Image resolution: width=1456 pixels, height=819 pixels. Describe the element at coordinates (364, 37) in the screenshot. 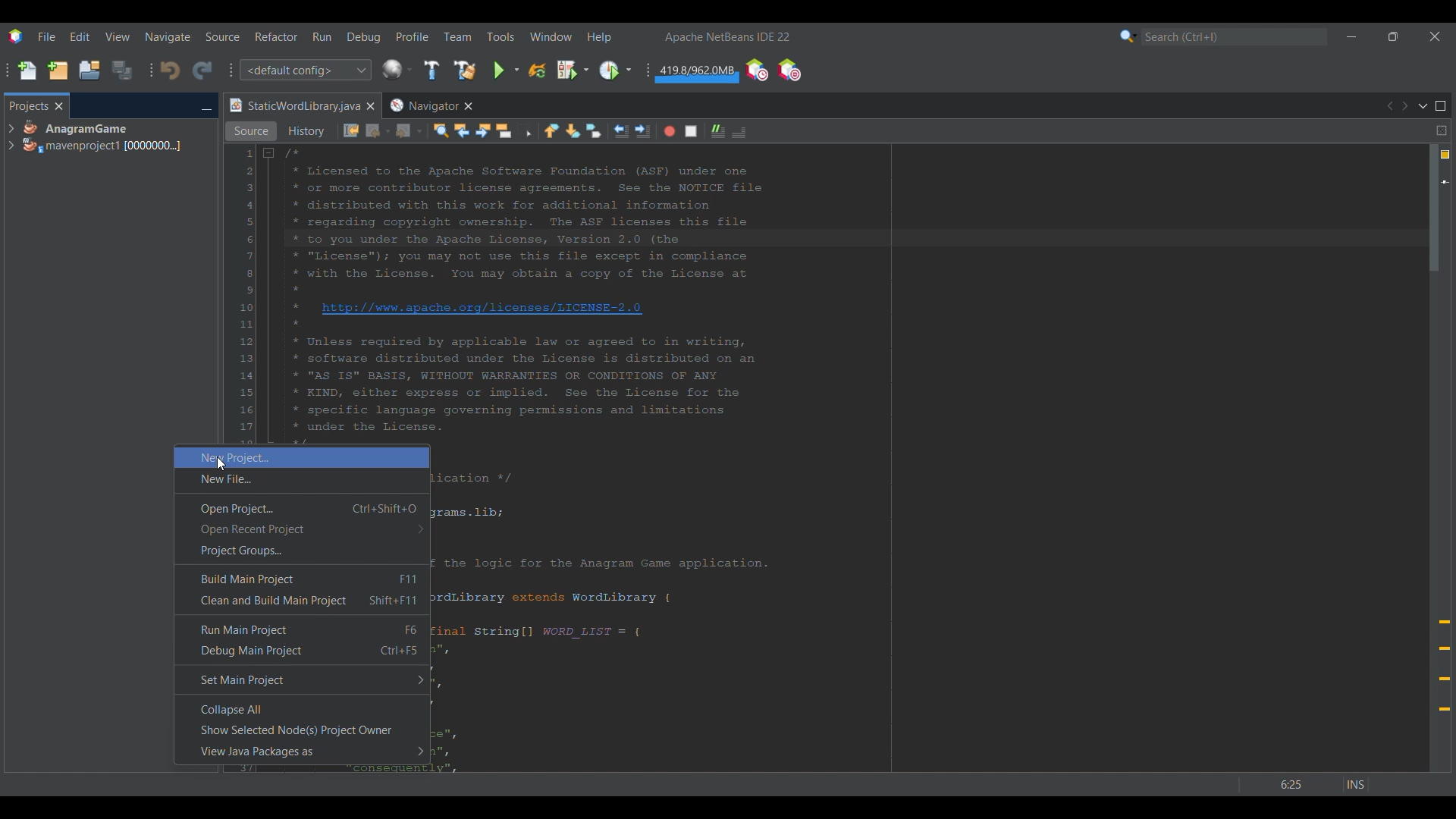

I see `Debug menu` at that location.